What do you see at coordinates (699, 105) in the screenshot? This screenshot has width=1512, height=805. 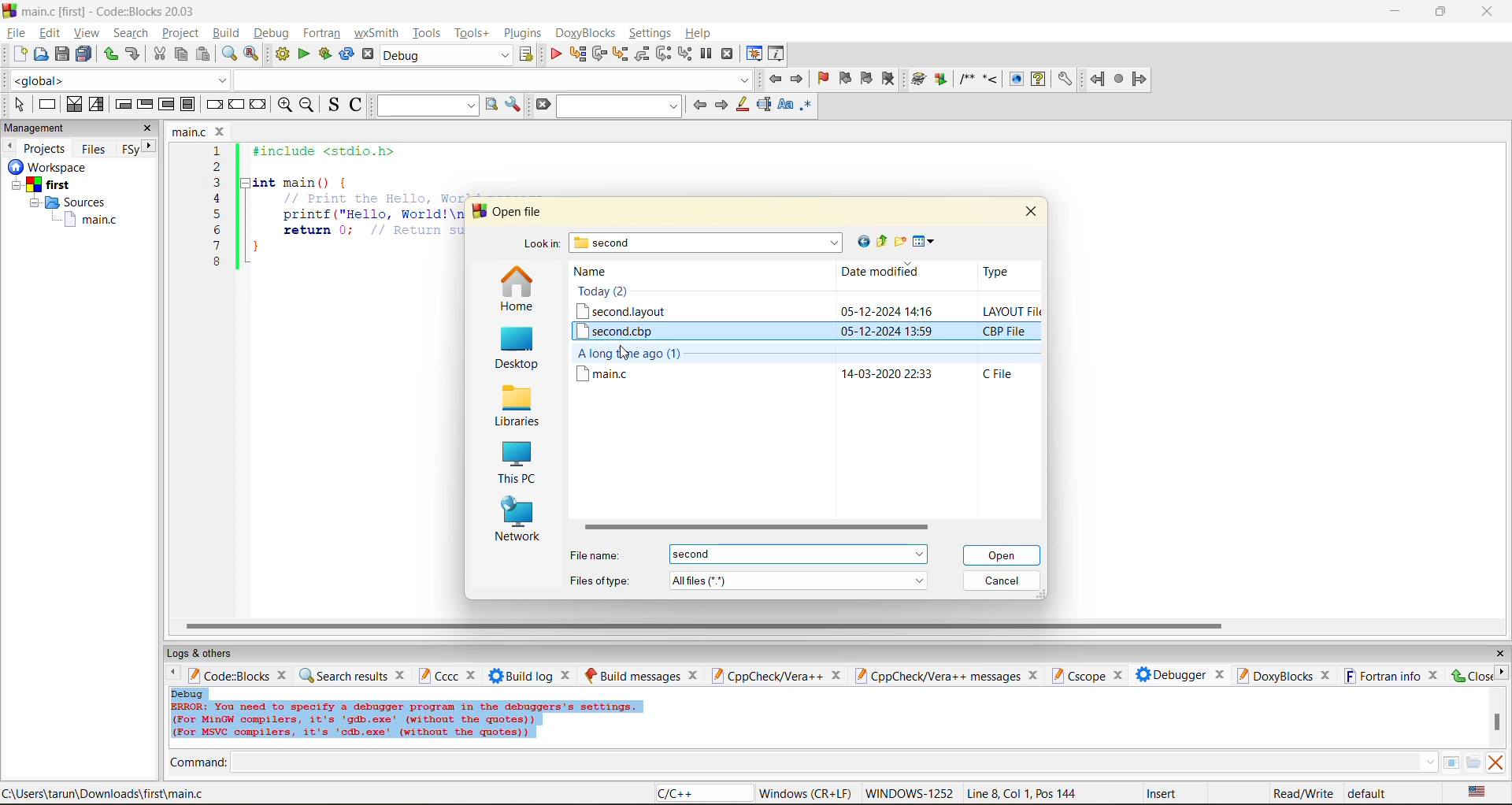 I see `previous` at bounding box center [699, 105].